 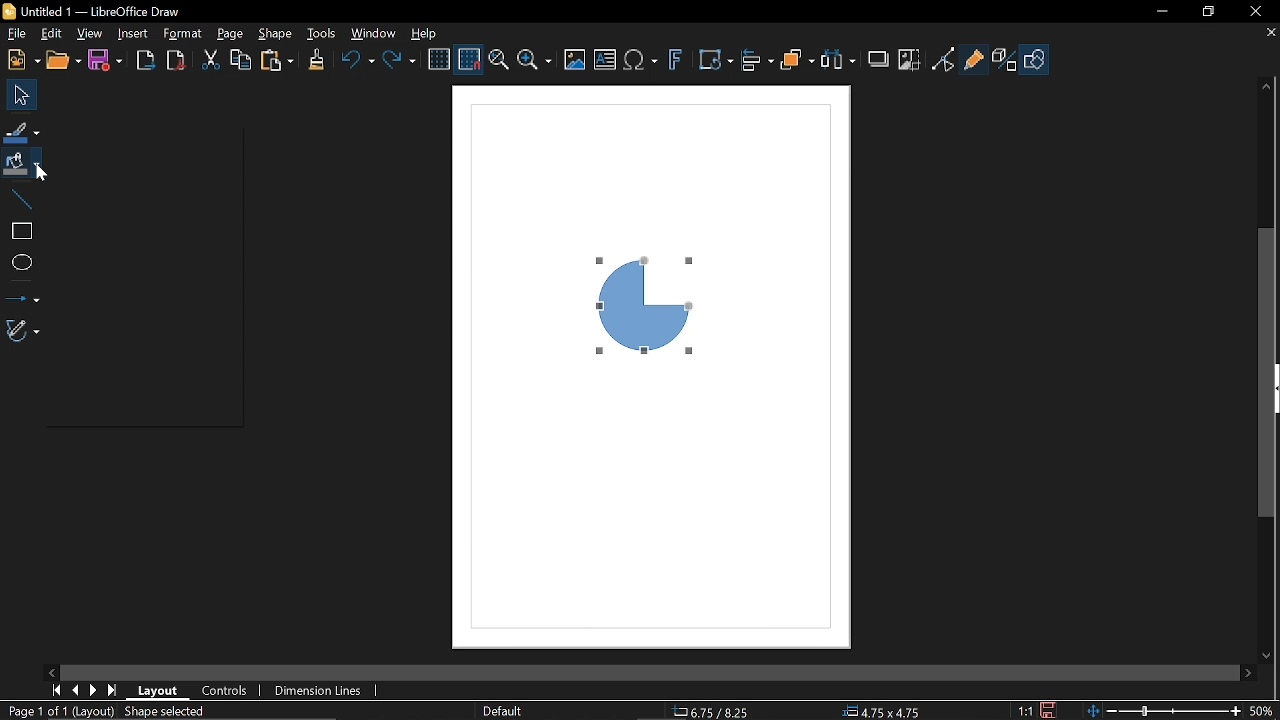 I want to click on Select at least three objects to distribute, so click(x=840, y=61).